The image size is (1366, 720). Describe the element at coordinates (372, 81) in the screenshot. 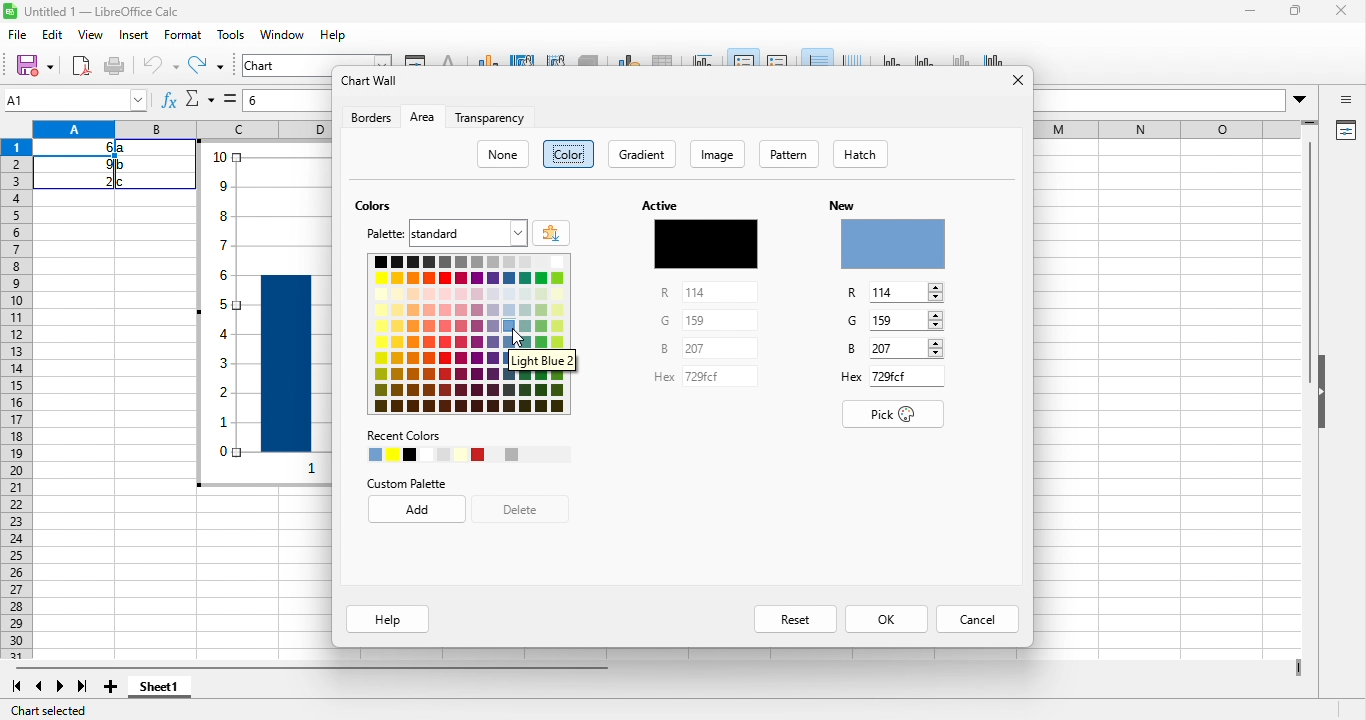

I see `chart wall` at that location.